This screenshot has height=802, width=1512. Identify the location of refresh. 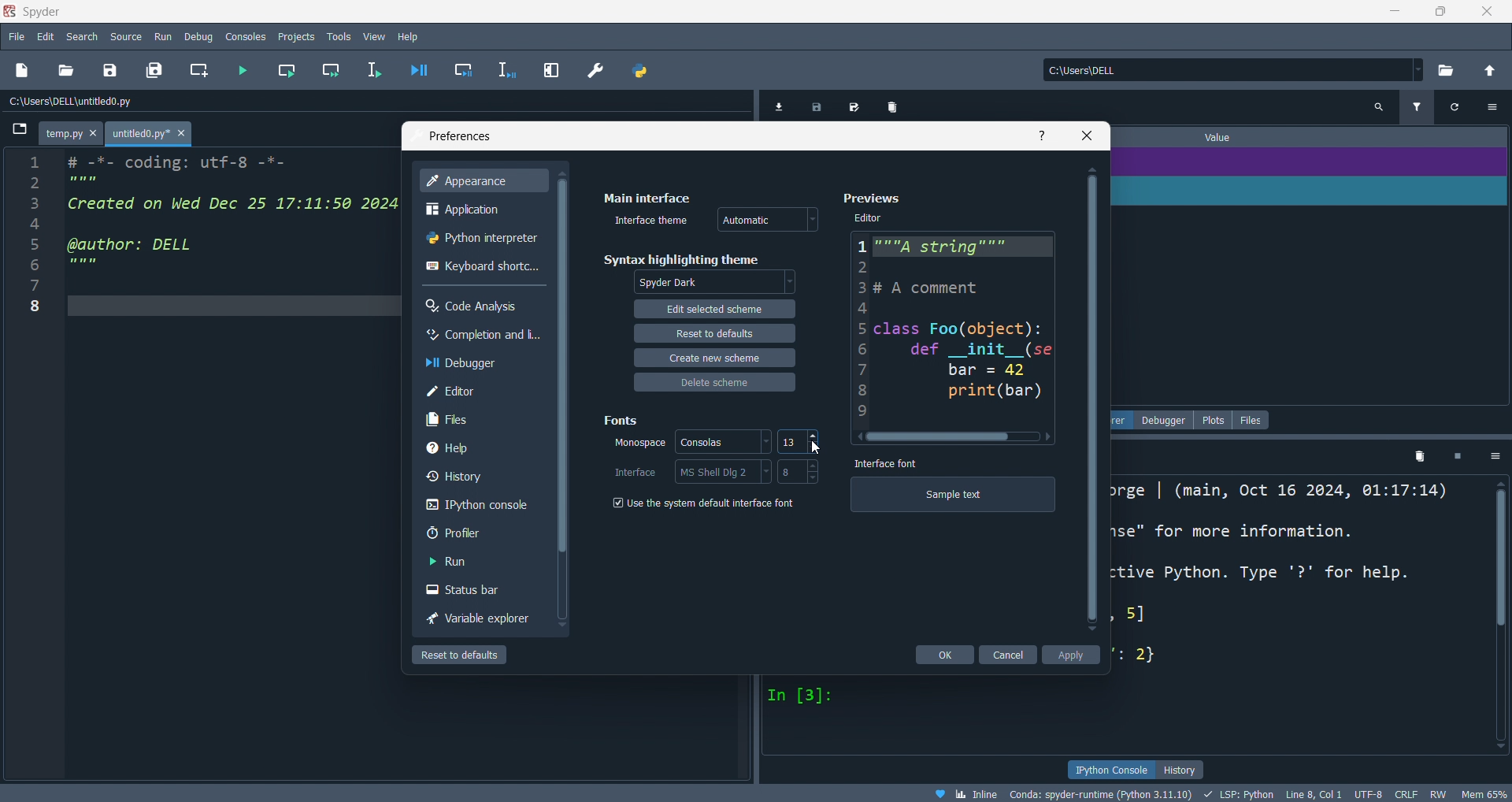
(1458, 110).